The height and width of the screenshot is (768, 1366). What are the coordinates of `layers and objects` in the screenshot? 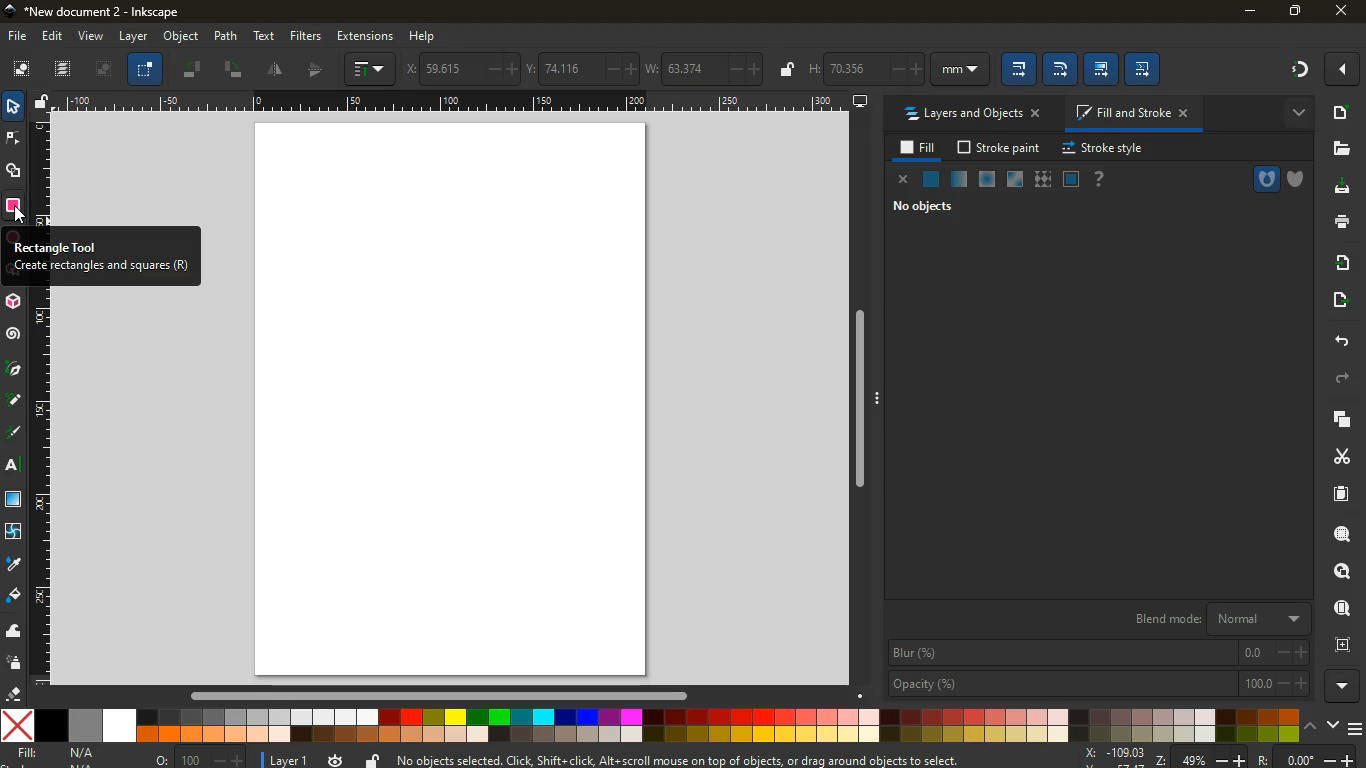 It's located at (972, 115).